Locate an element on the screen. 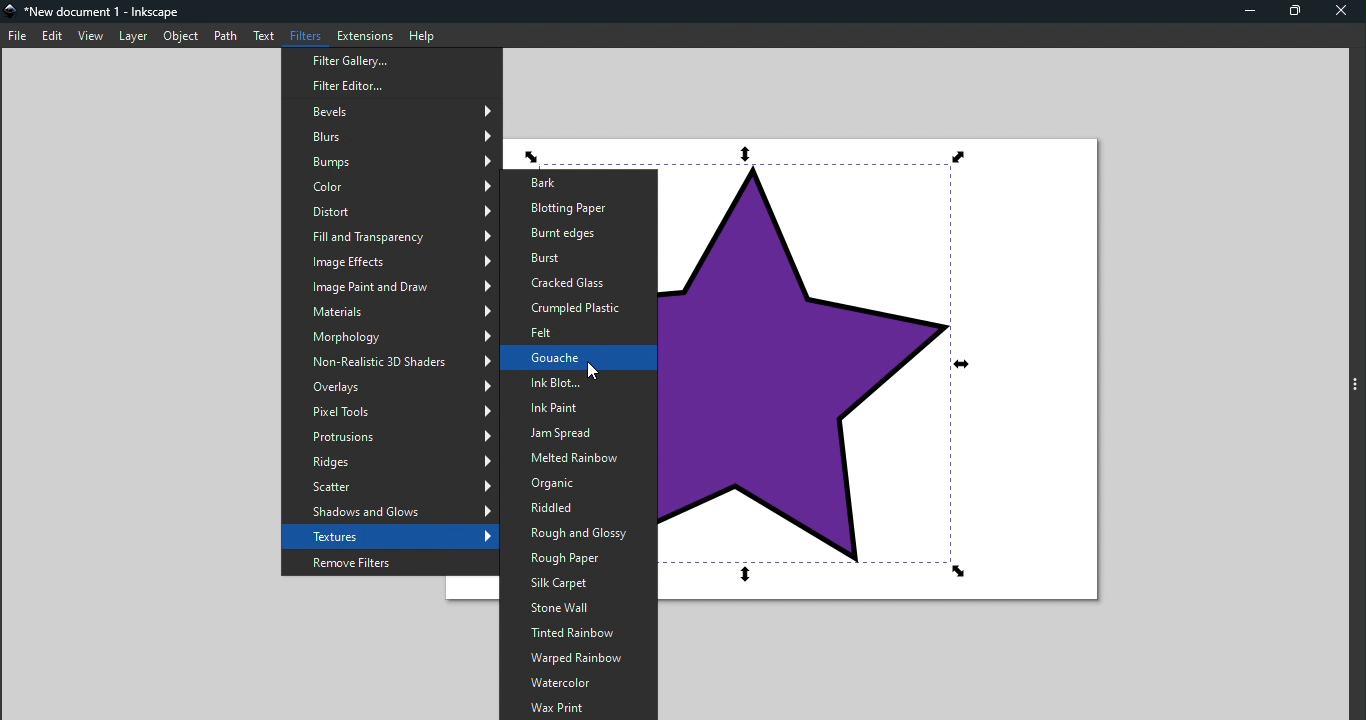 The height and width of the screenshot is (720, 1366). Minimize is located at coordinates (1249, 13).